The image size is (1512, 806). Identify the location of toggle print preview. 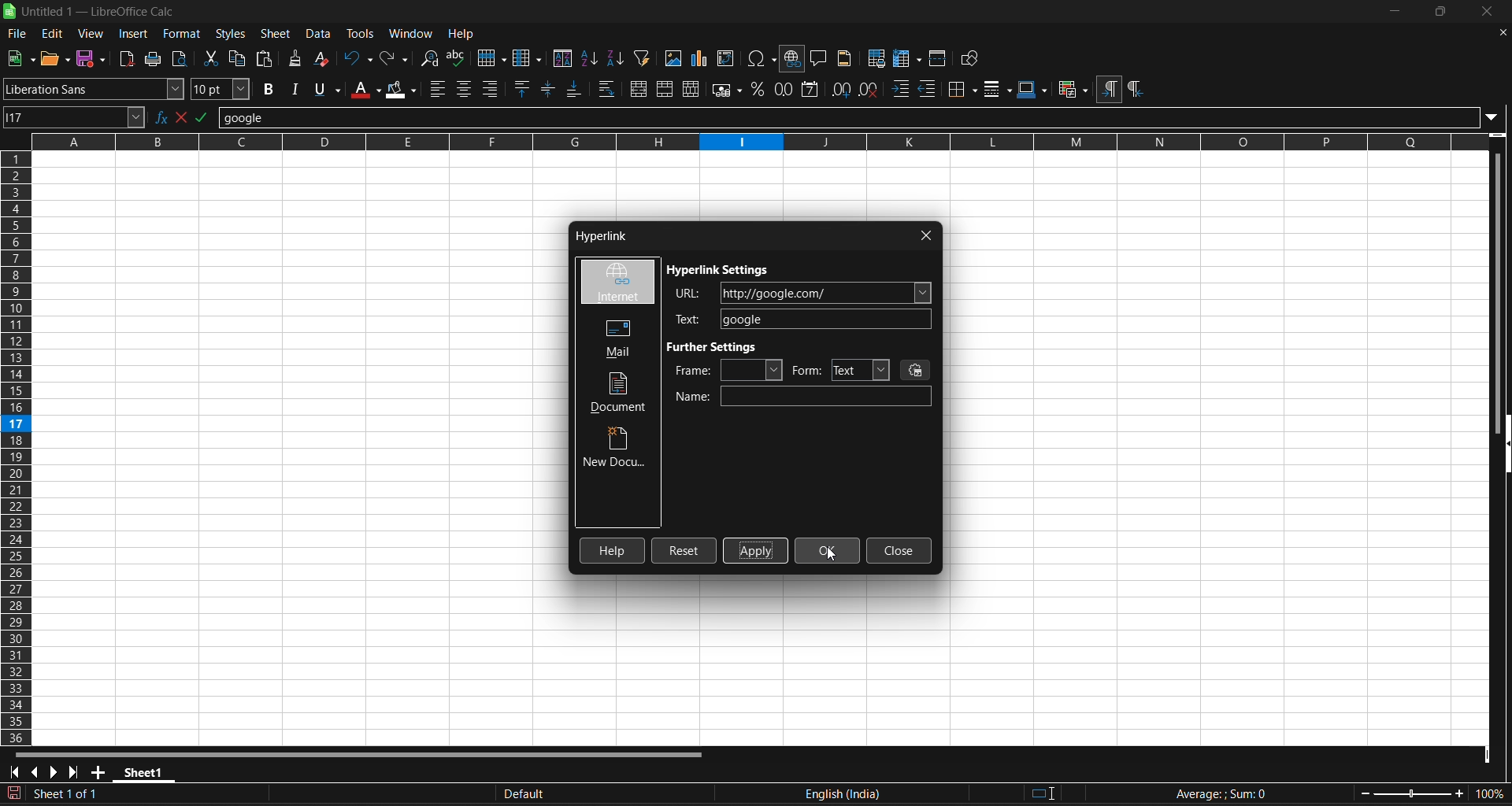
(183, 59).